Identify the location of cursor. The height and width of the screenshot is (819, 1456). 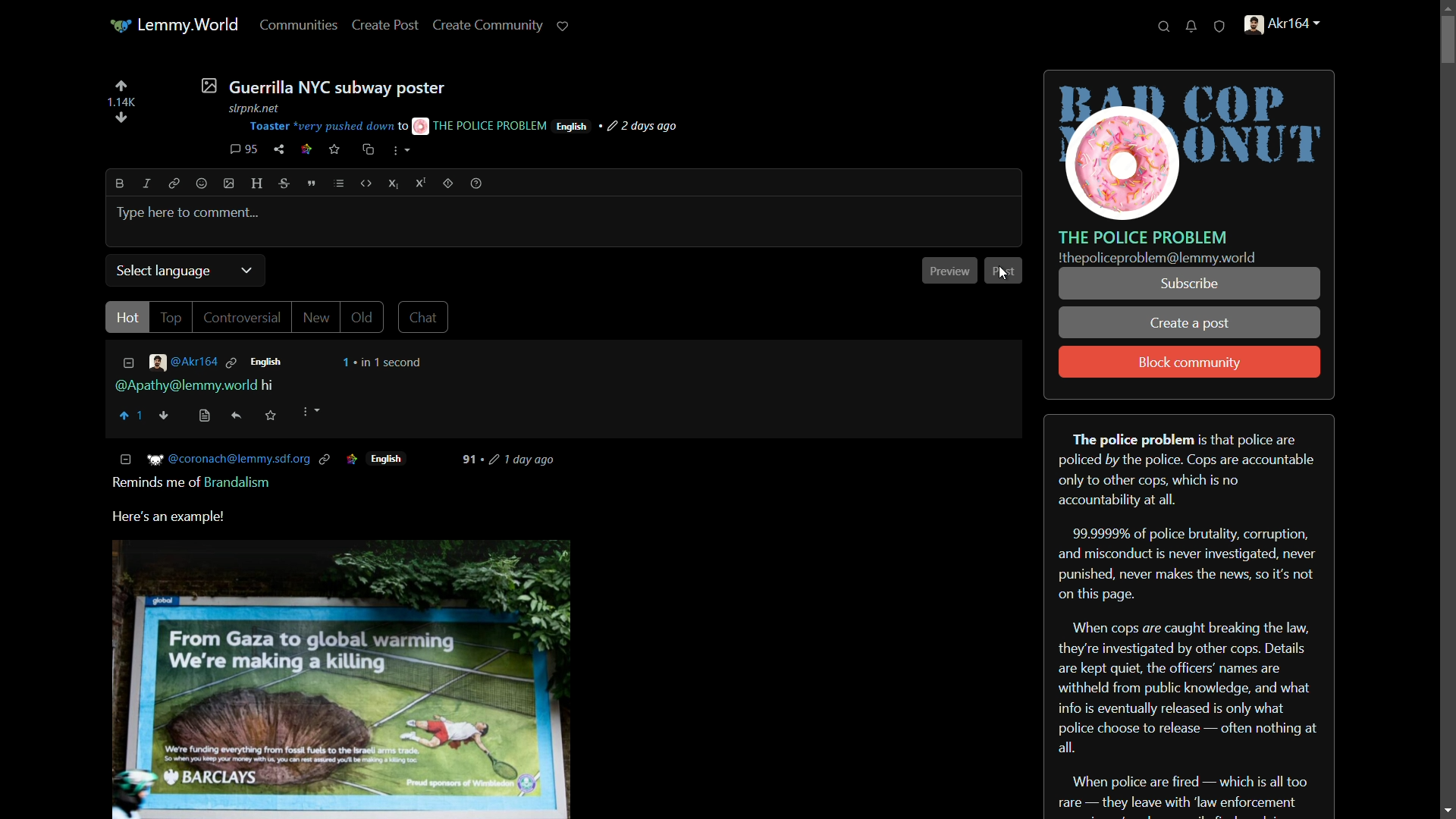
(1003, 275).